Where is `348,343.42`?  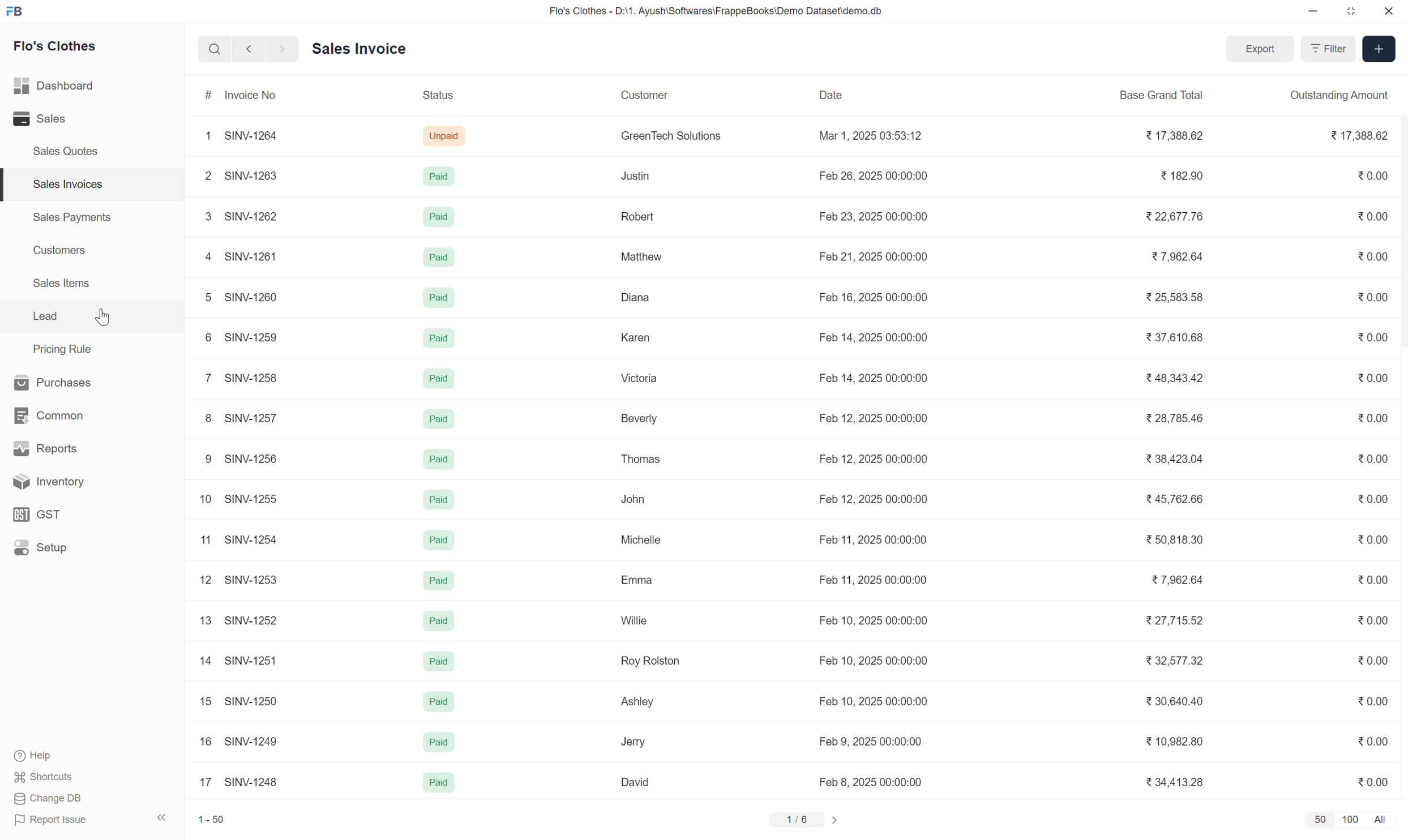 348,343.42 is located at coordinates (1179, 376).